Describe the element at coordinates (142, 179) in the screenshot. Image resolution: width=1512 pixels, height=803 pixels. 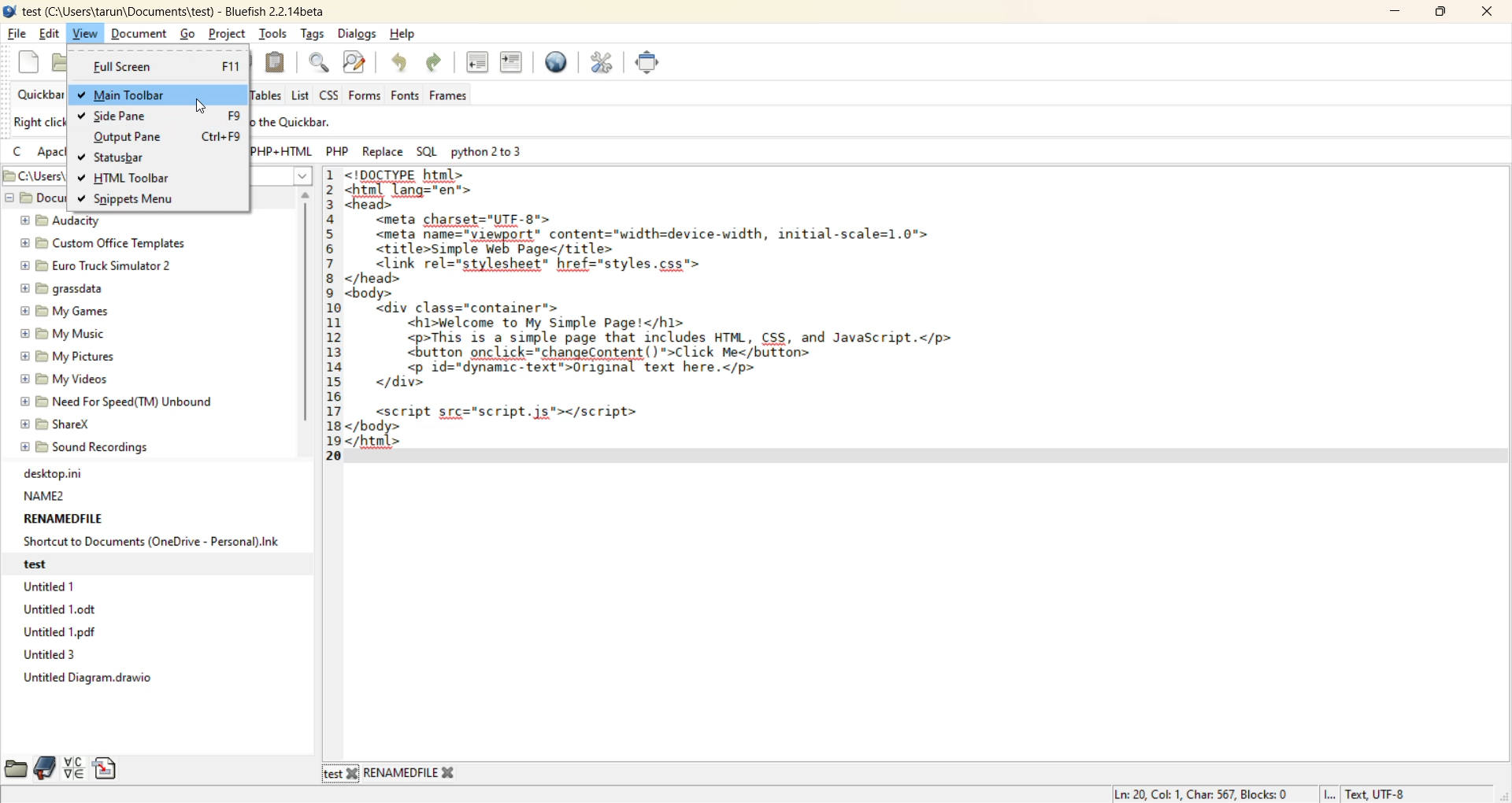
I see `html toolbar` at that location.